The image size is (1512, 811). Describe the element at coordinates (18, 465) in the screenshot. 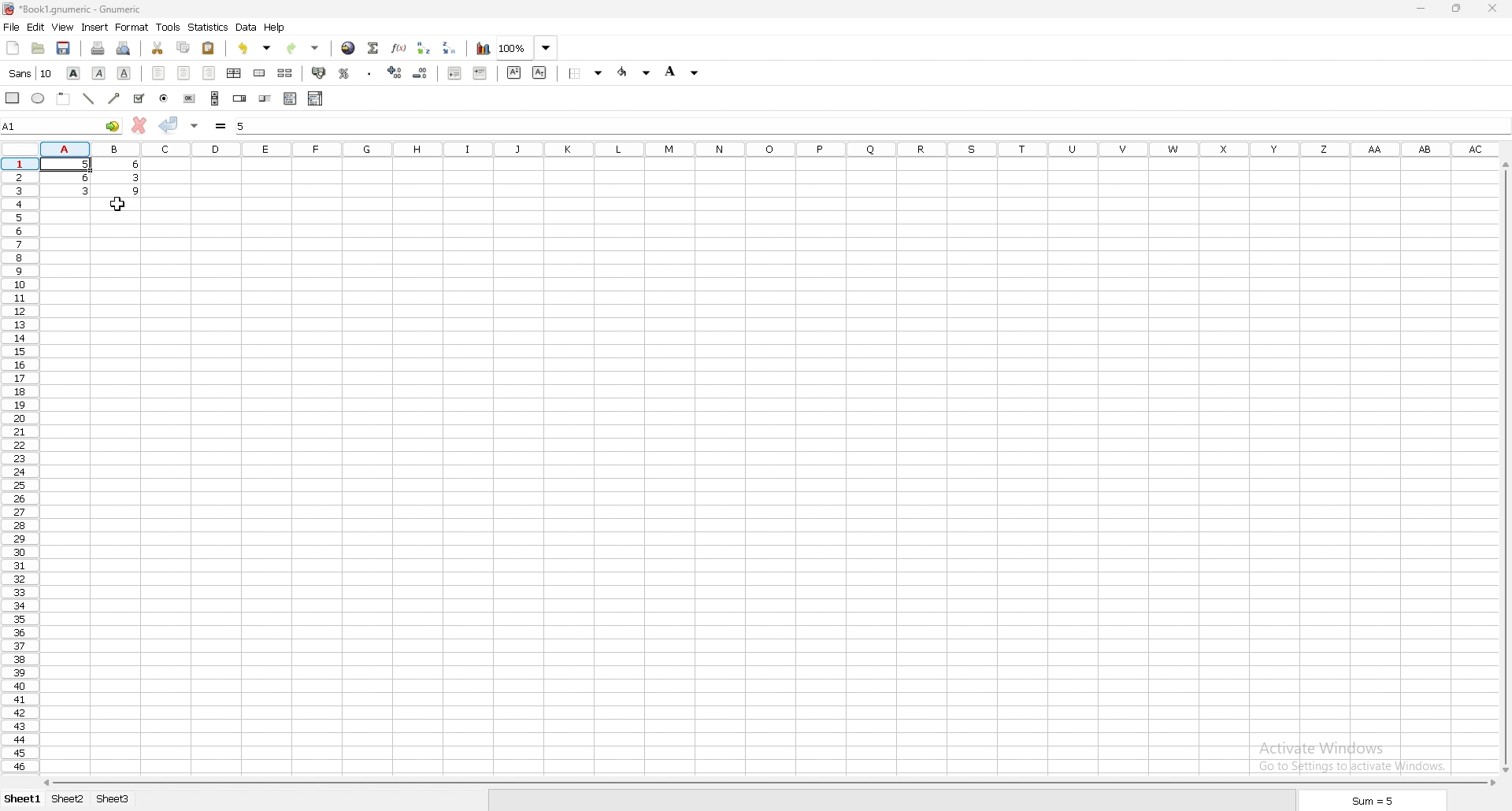

I see `row` at that location.